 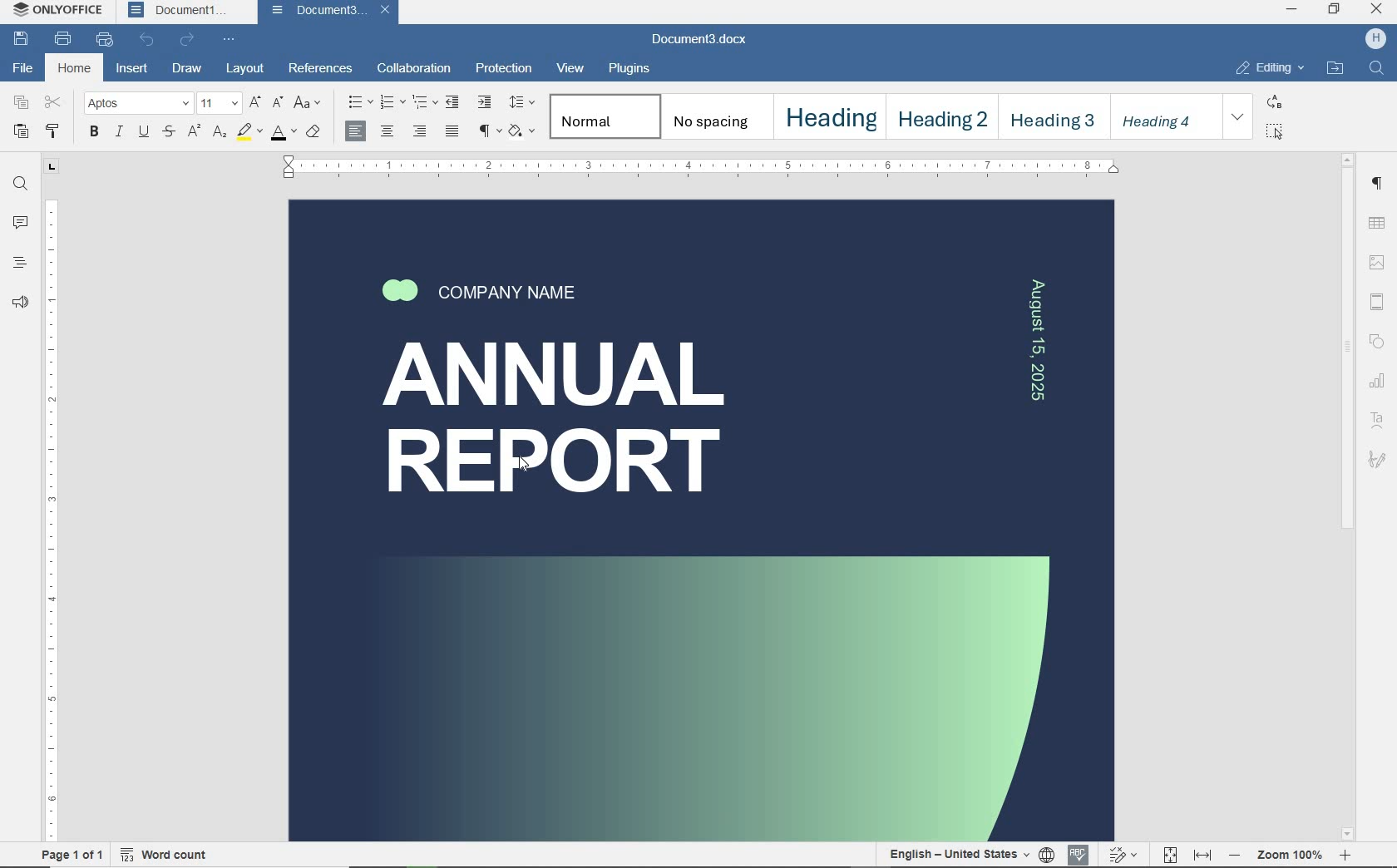 What do you see at coordinates (51, 169) in the screenshot?
I see `tab tool` at bounding box center [51, 169].